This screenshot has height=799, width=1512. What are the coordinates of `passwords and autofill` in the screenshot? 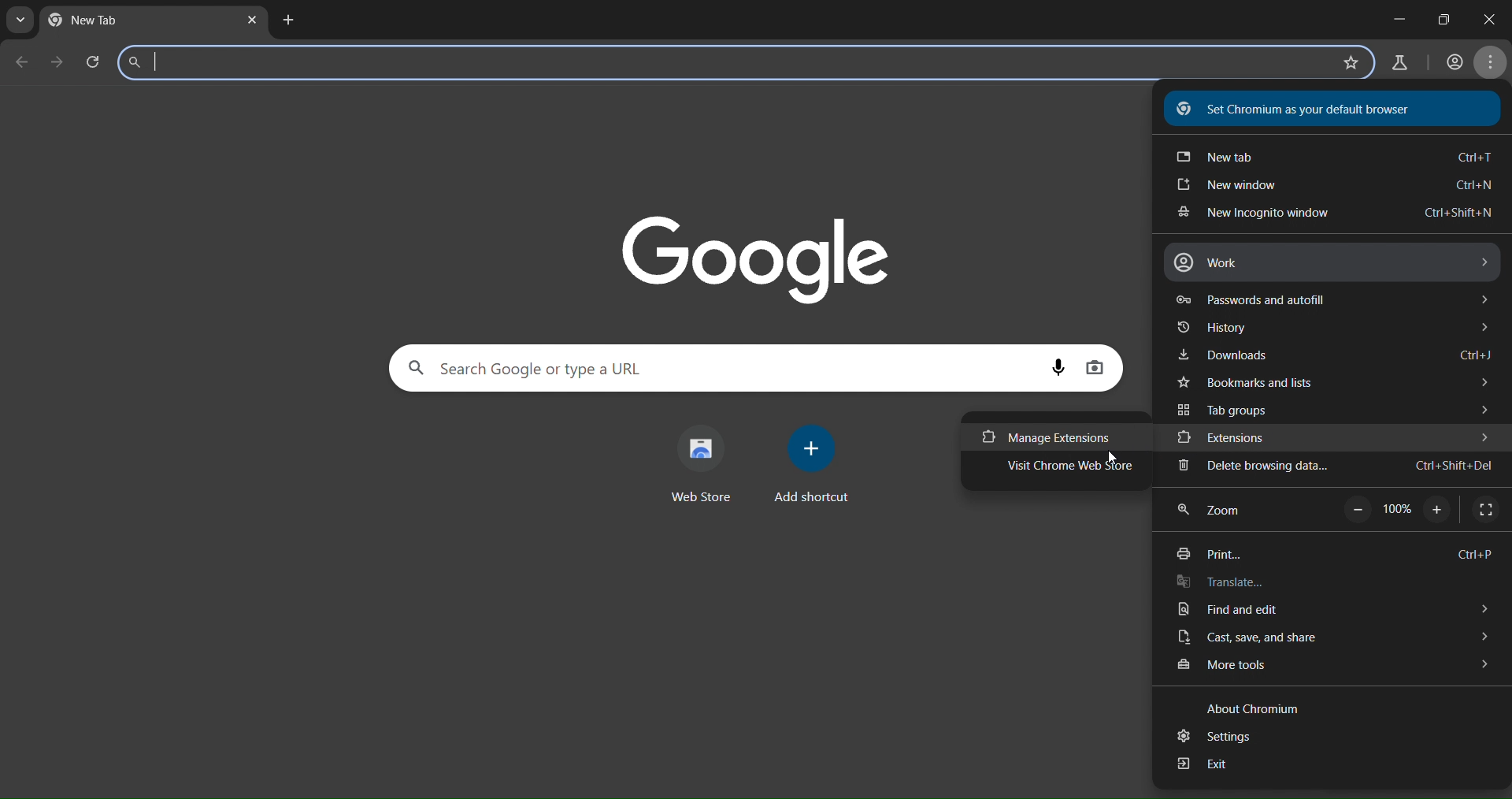 It's located at (1337, 301).